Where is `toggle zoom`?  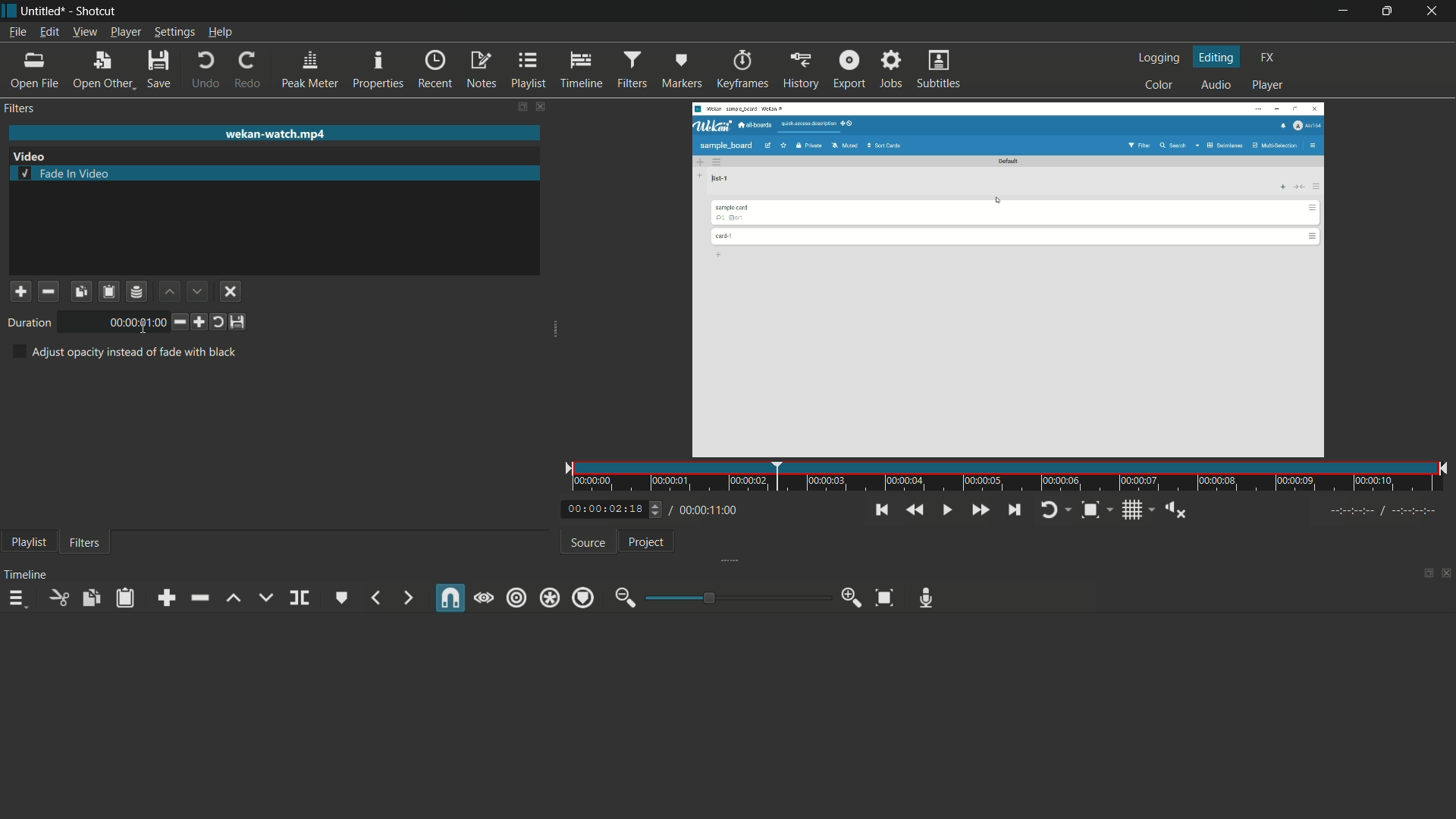
toggle zoom is located at coordinates (1090, 511).